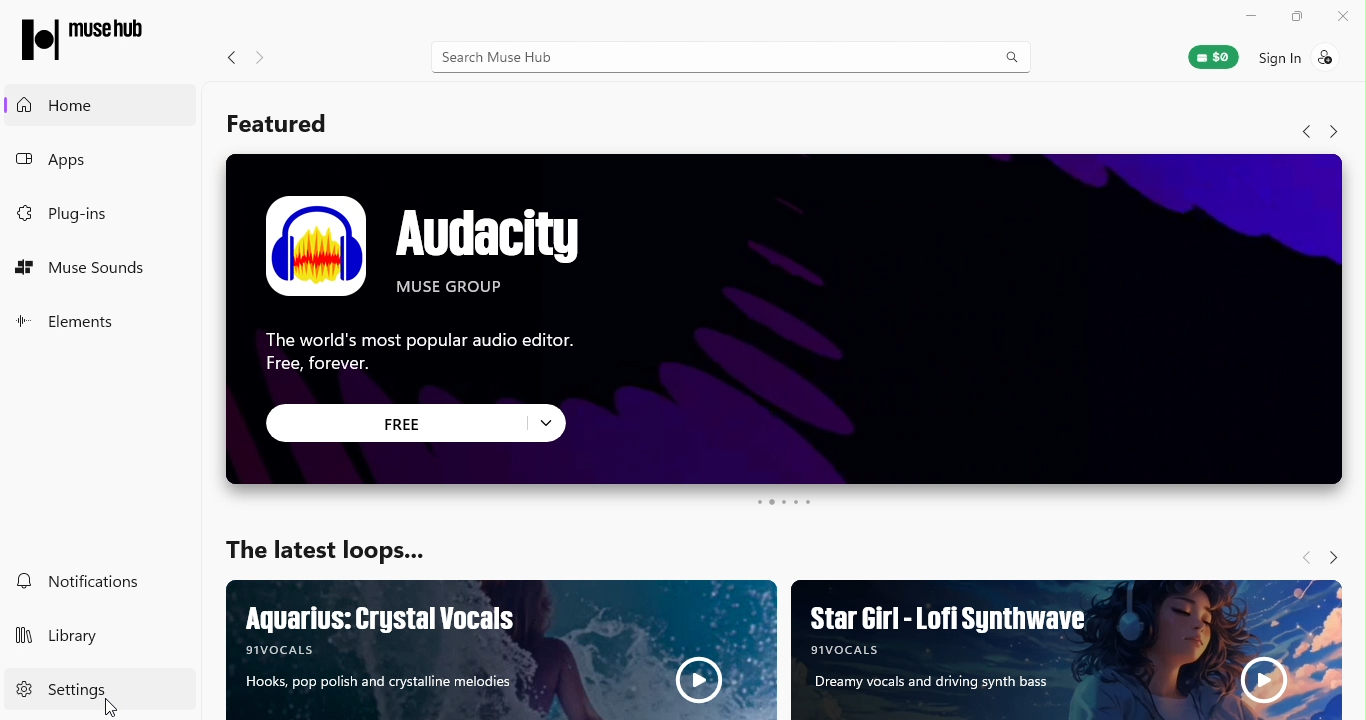 The width and height of the screenshot is (1366, 720). I want to click on Ad, so click(784, 271).